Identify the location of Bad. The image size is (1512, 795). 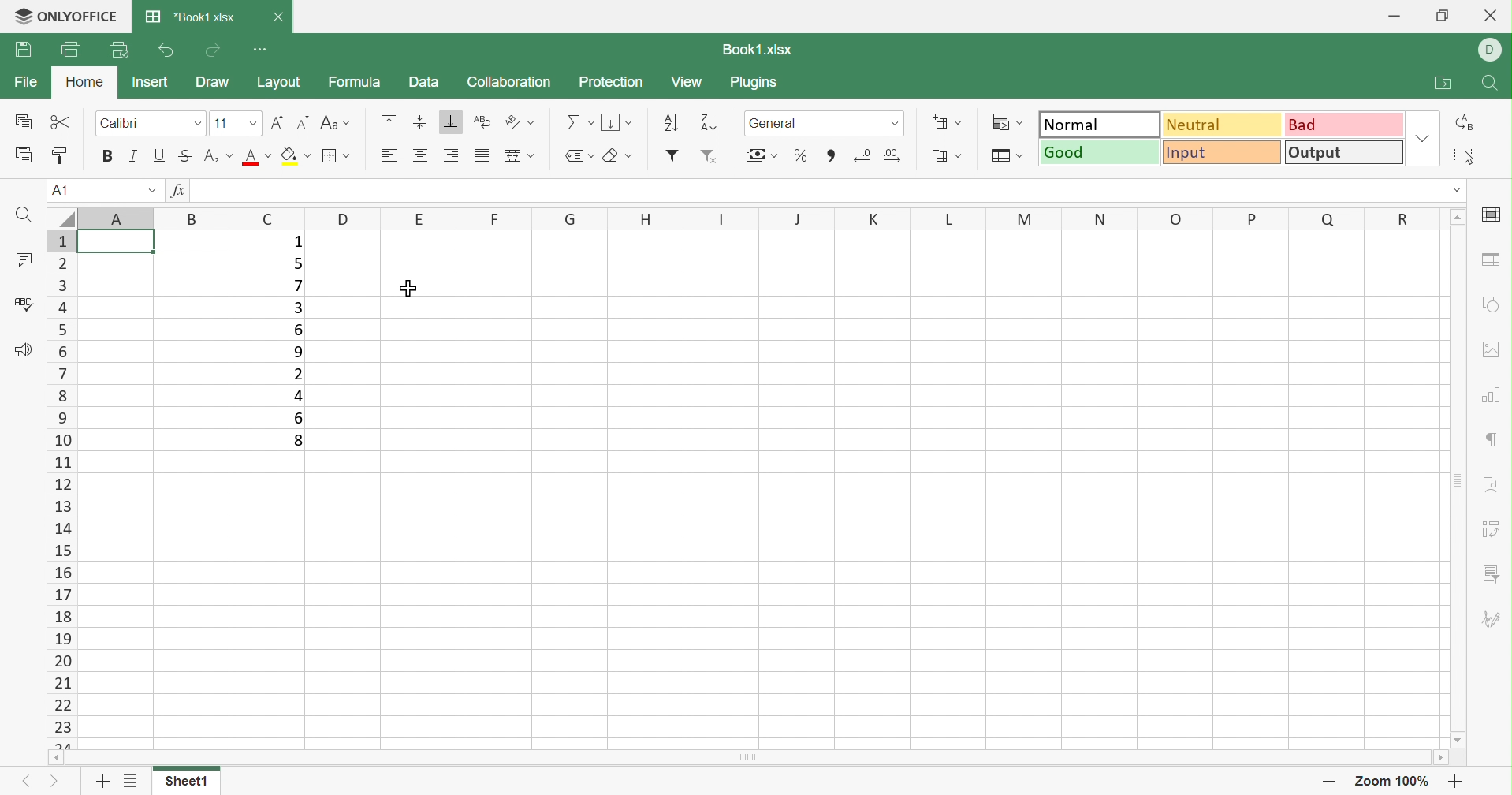
(1343, 125).